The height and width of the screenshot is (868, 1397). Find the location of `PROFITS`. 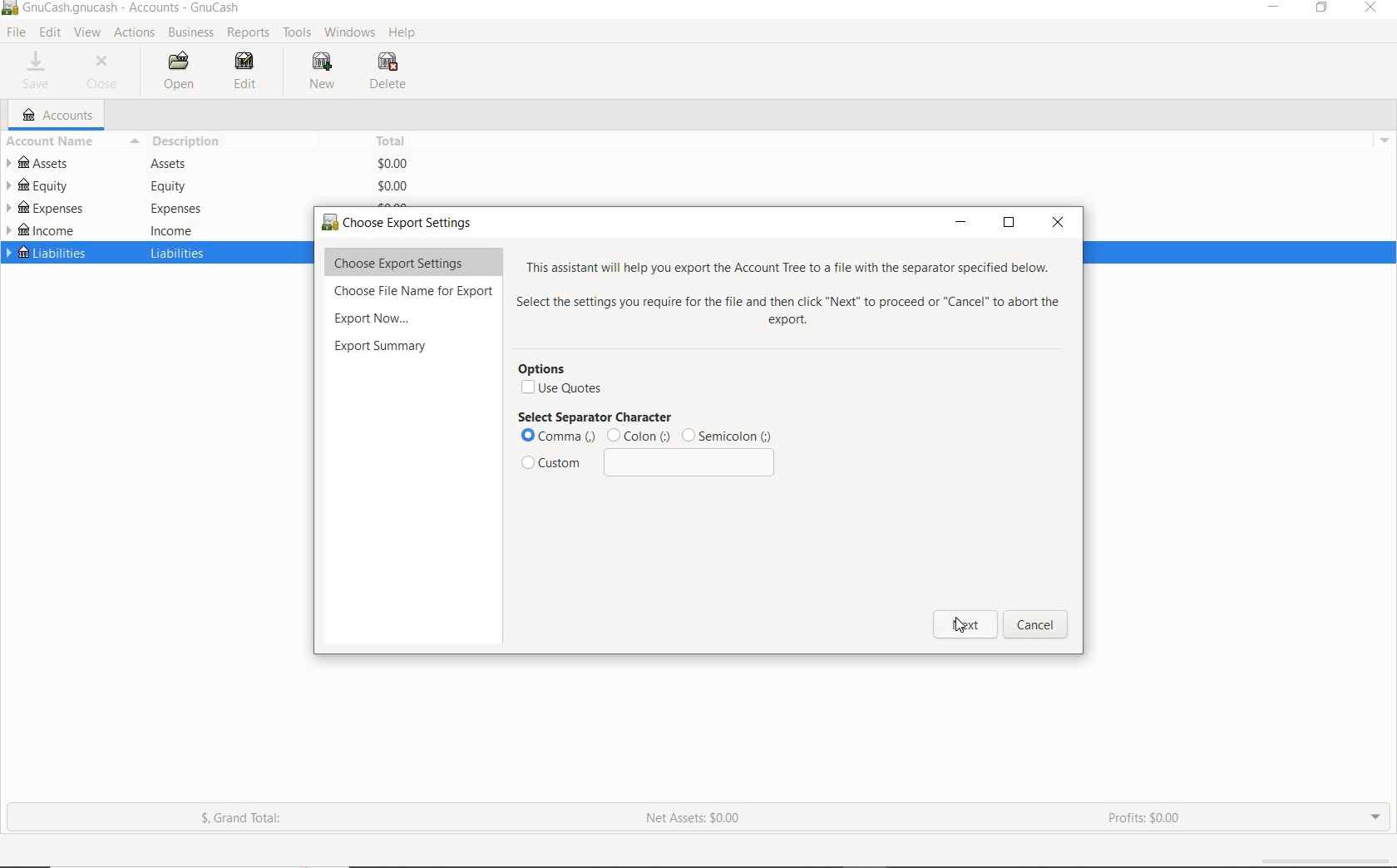

PROFITS is located at coordinates (1145, 817).